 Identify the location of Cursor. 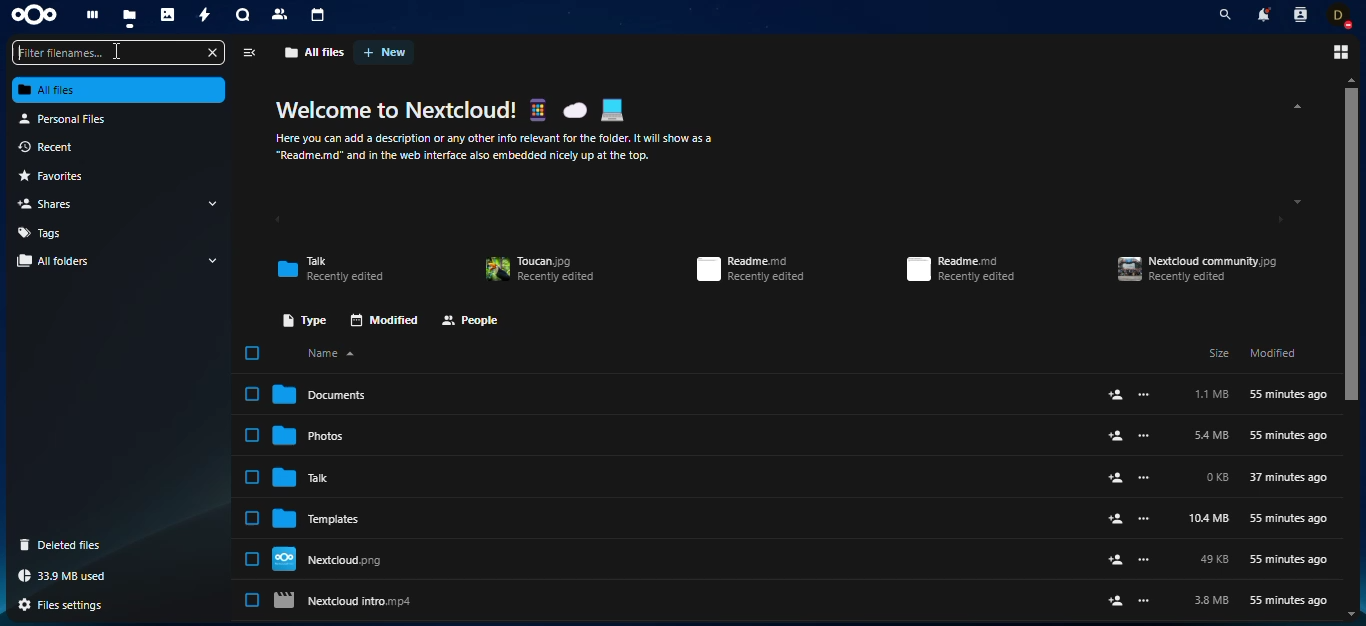
(117, 51).